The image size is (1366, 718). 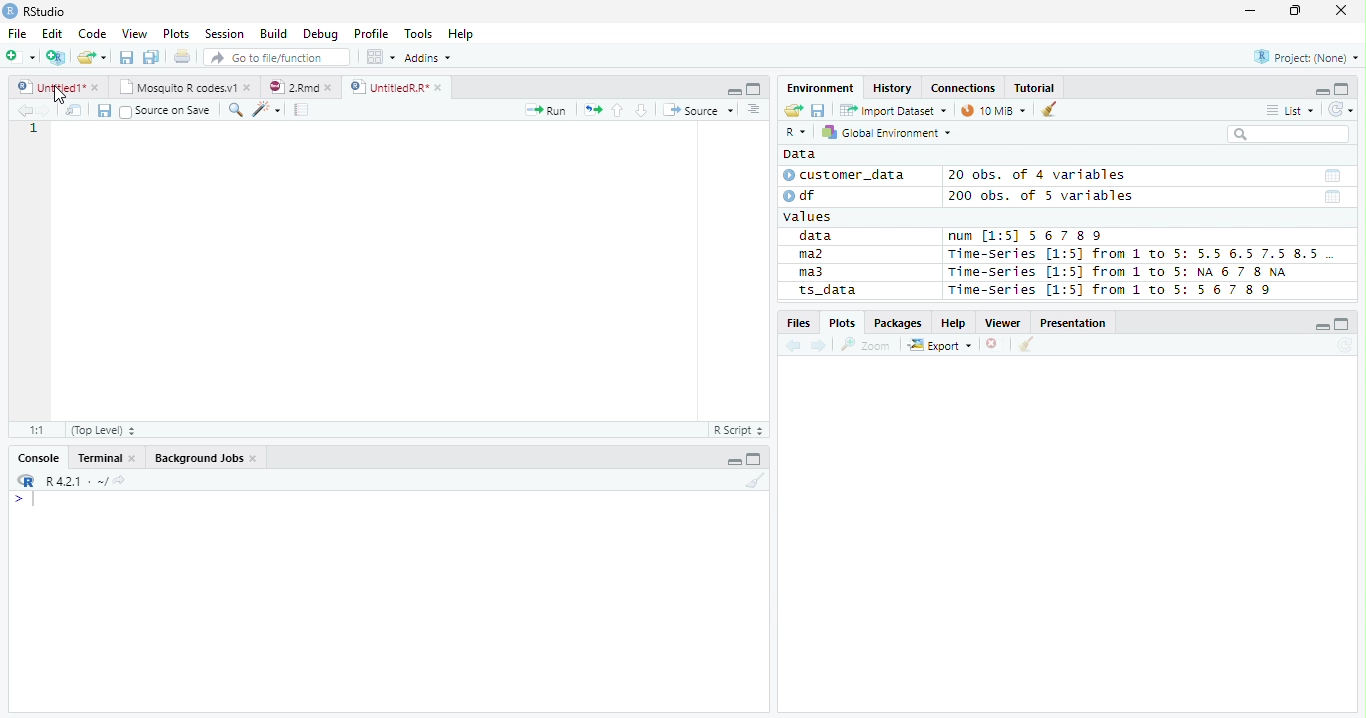 What do you see at coordinates (796, 346) in the screenshot?
I see `Previous` at bounding box center [796, 346].